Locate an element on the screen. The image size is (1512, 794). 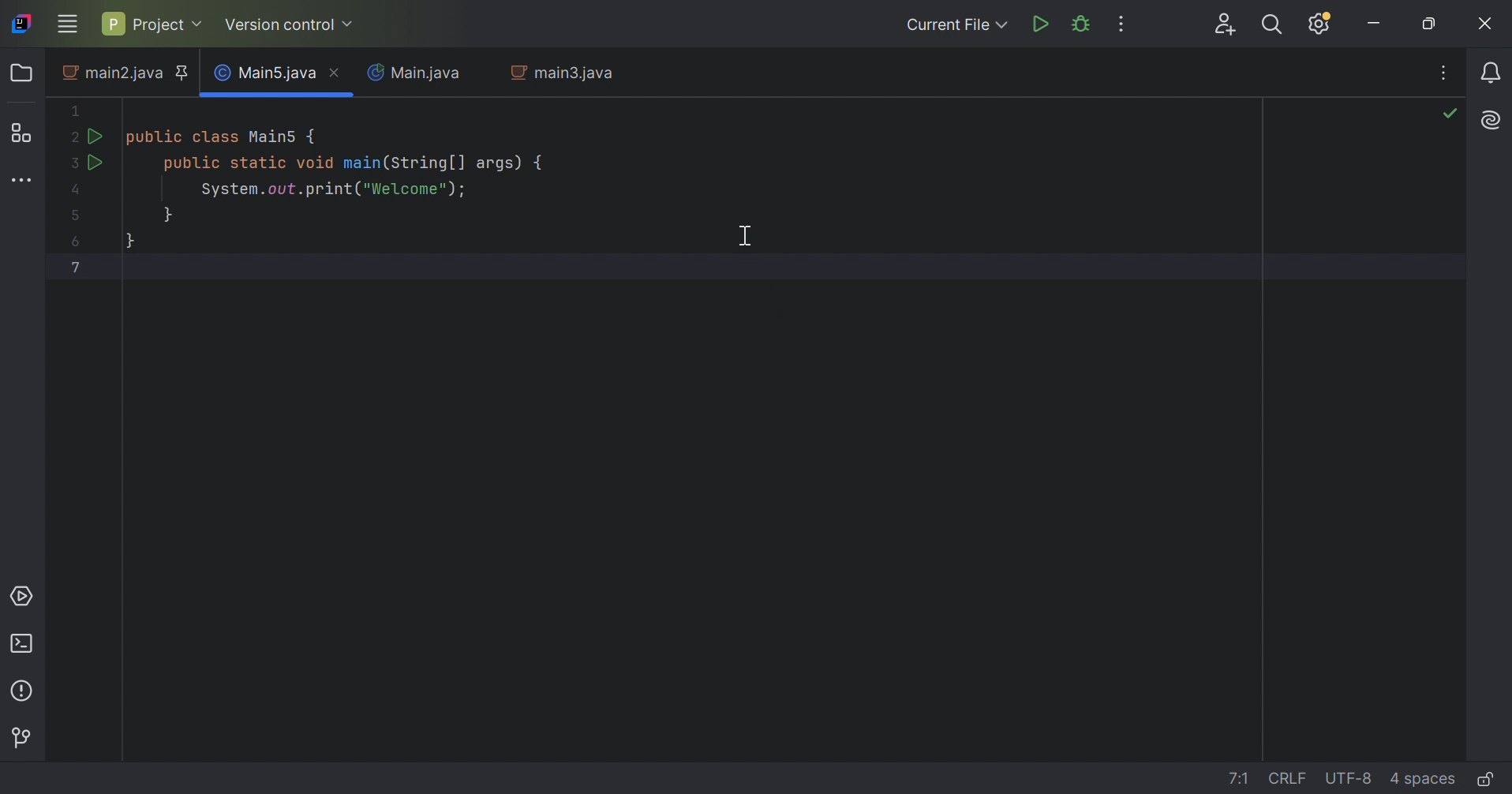
main2.java is located at coordinates (111, 73).